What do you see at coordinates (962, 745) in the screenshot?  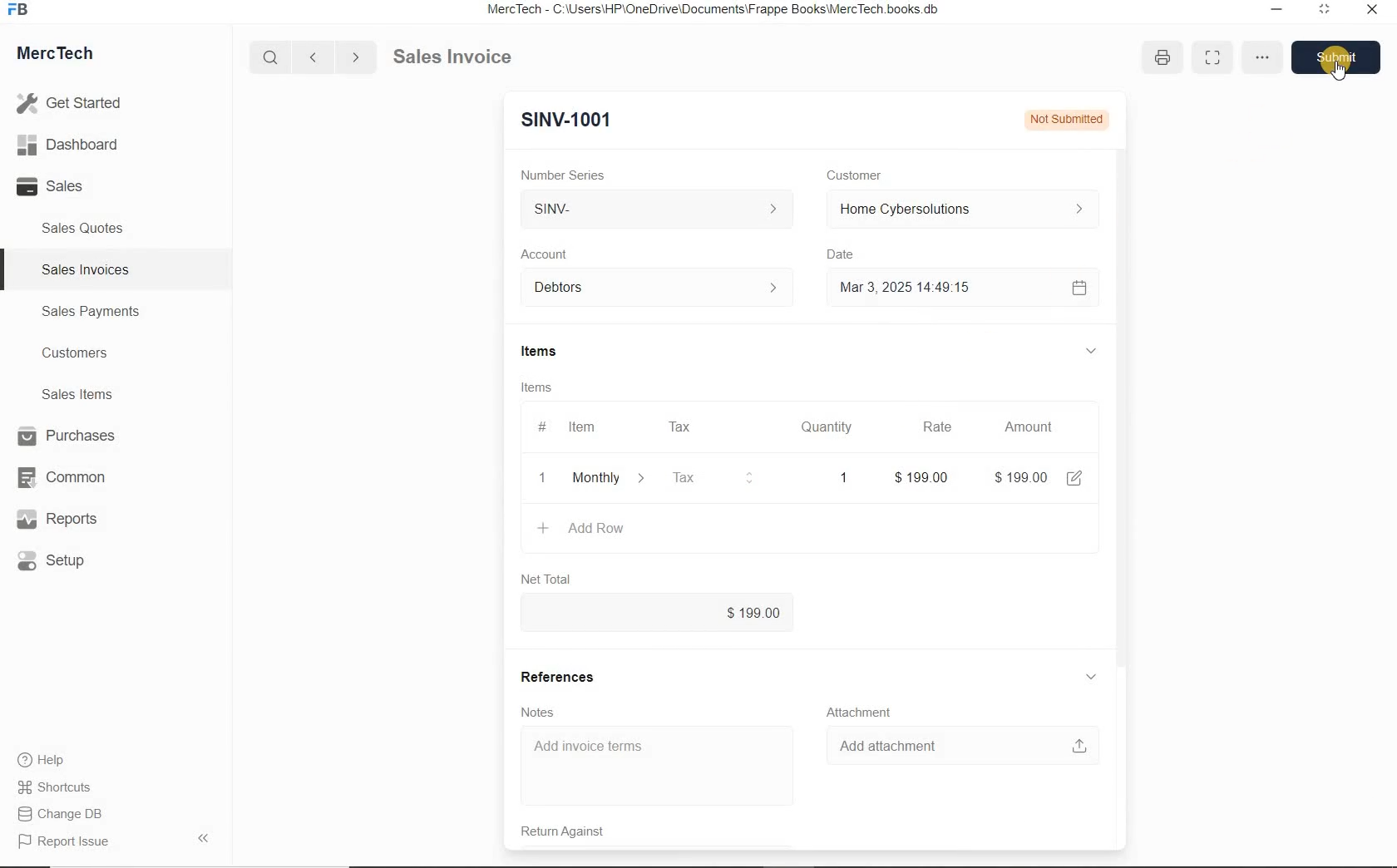 I see `Add attachment` at bounding box center [962, 745].